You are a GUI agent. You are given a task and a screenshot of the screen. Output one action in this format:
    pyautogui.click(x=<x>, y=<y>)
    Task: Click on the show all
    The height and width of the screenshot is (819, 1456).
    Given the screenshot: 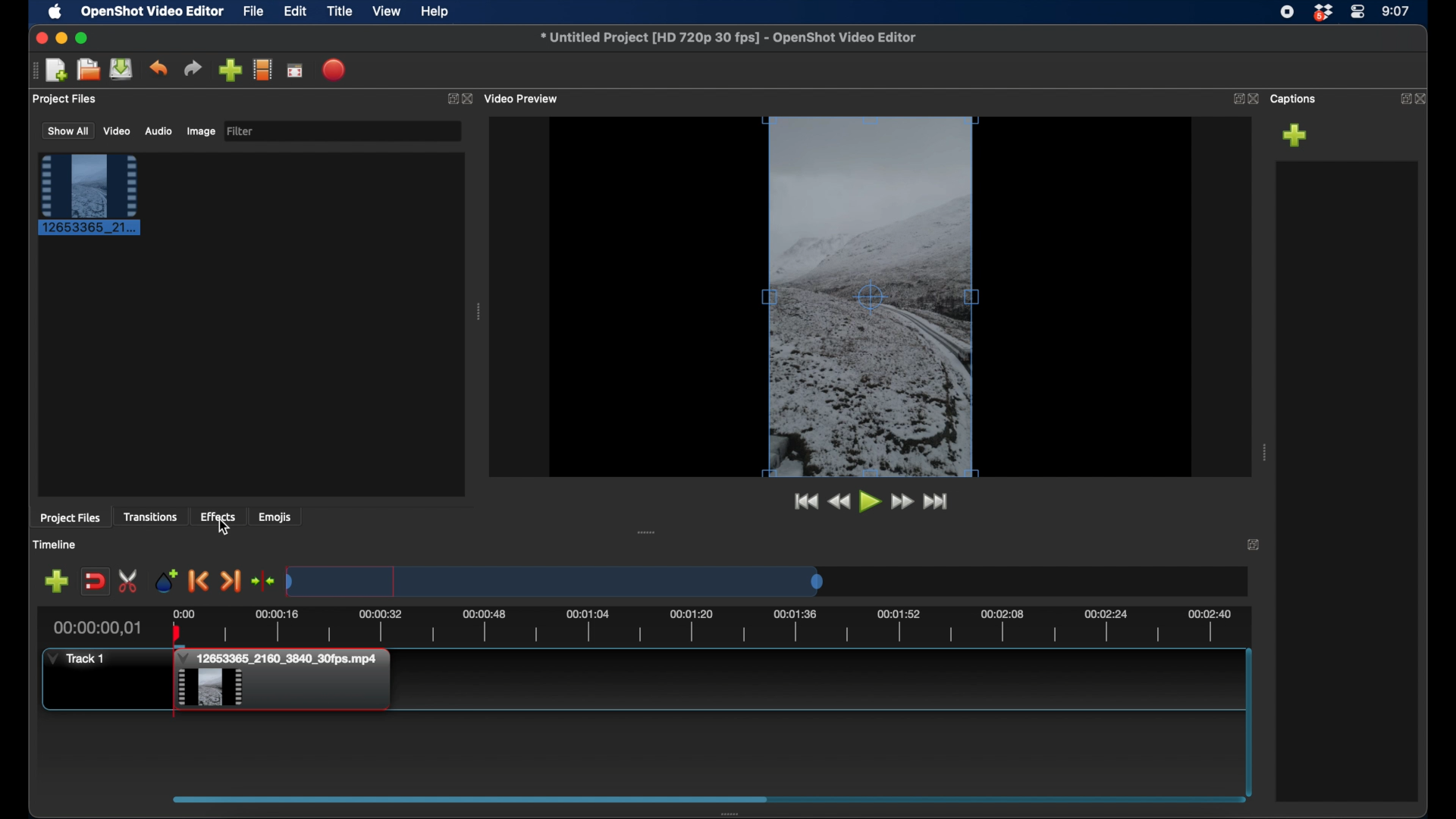 What is the action you would take?
    pyautogui.click(x=66, y=132)
    